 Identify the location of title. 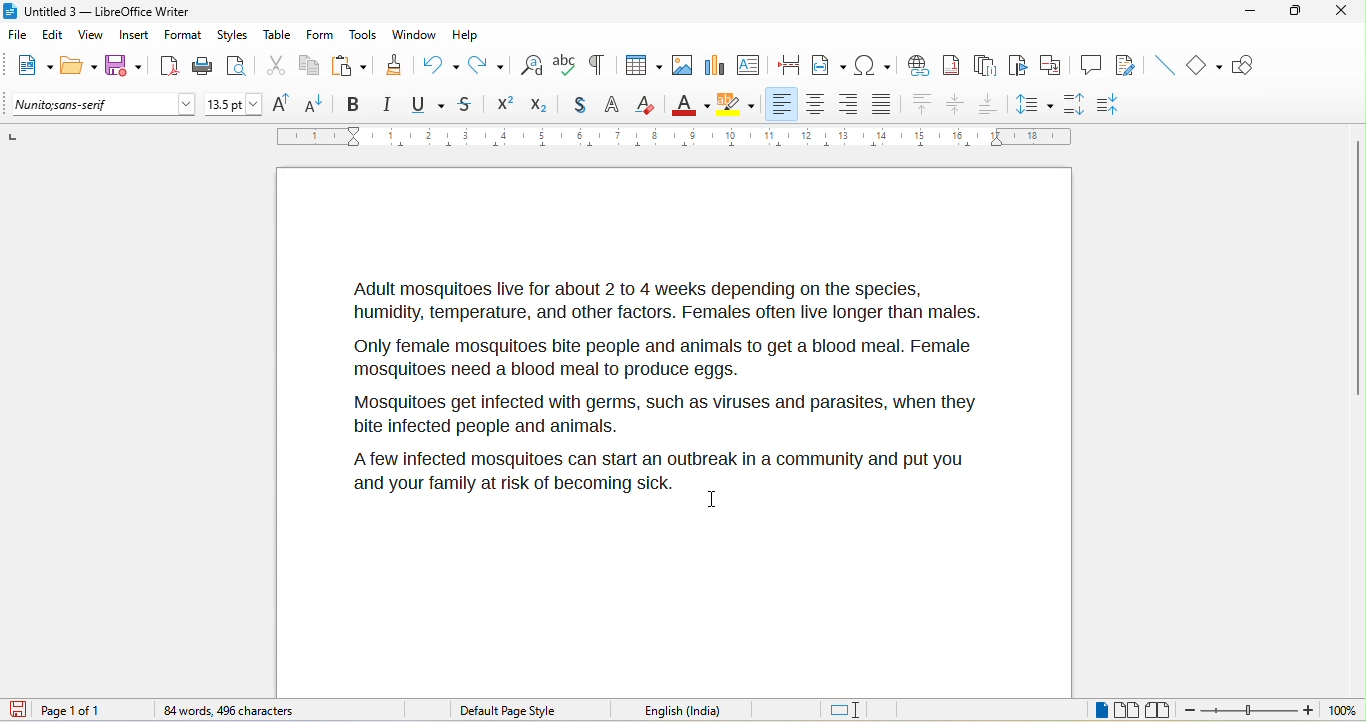
(97, 12).